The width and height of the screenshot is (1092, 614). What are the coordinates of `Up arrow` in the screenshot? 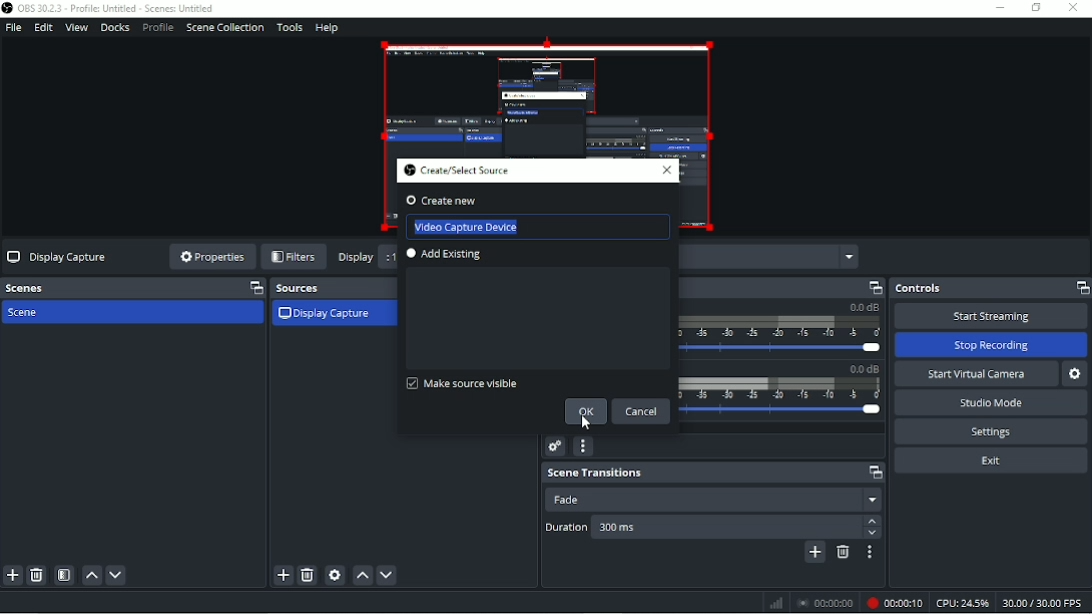 It's located at (872, 520).